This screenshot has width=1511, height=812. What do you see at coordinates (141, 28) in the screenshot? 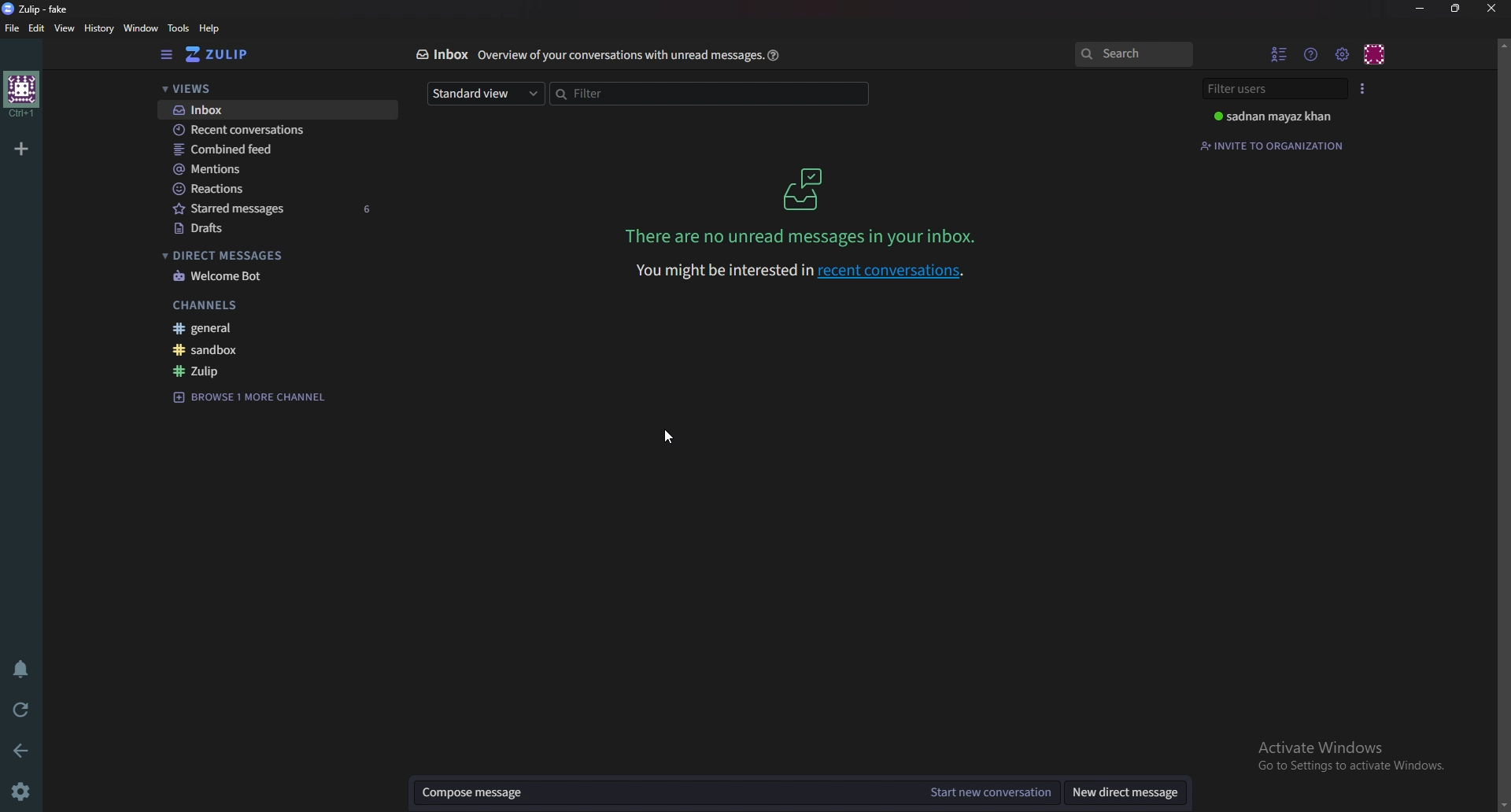
I see `Window` at bounding box center [141, 28].